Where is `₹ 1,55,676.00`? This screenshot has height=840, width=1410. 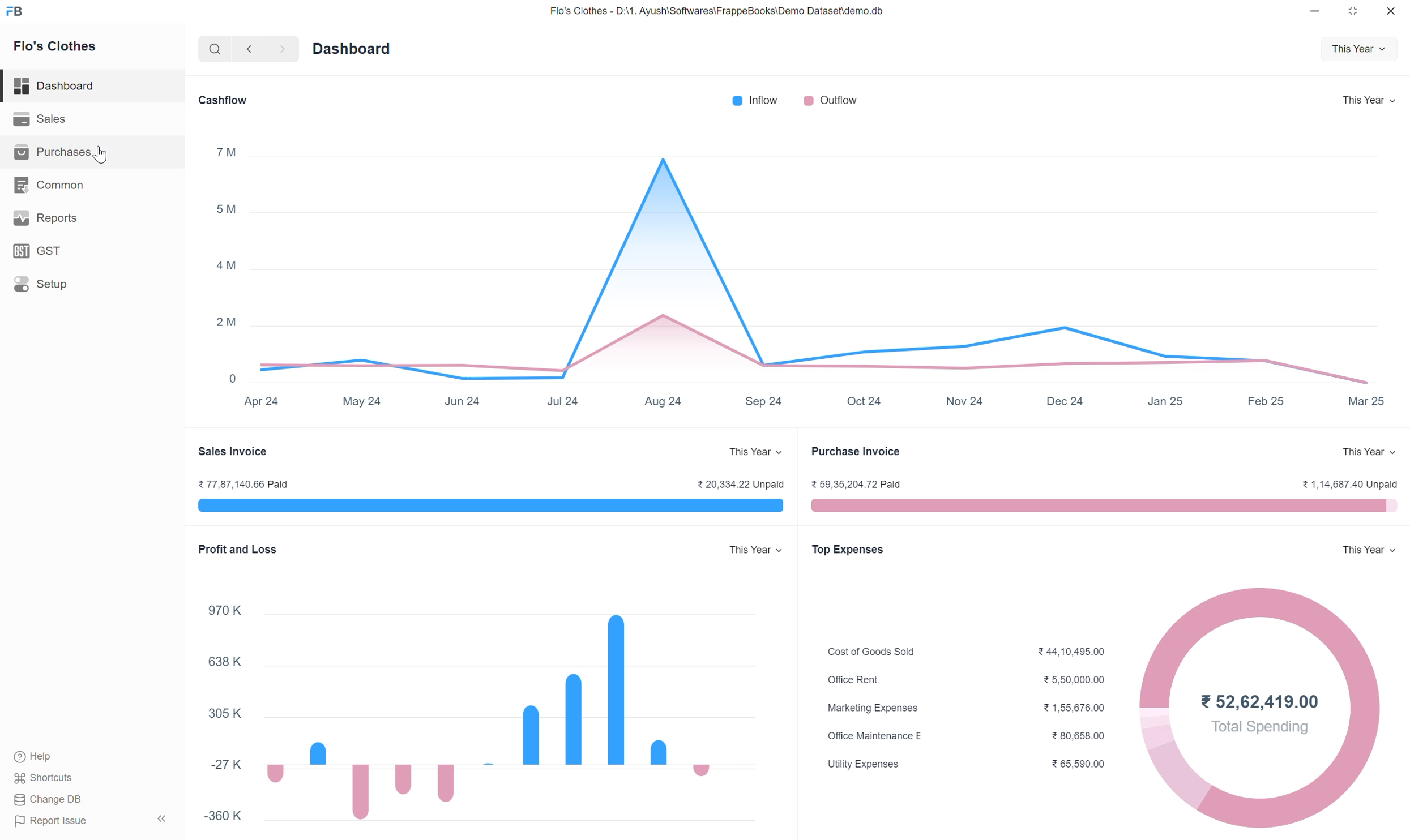
₹ 1,55,676.00 is located at coordinates (1074, 709).